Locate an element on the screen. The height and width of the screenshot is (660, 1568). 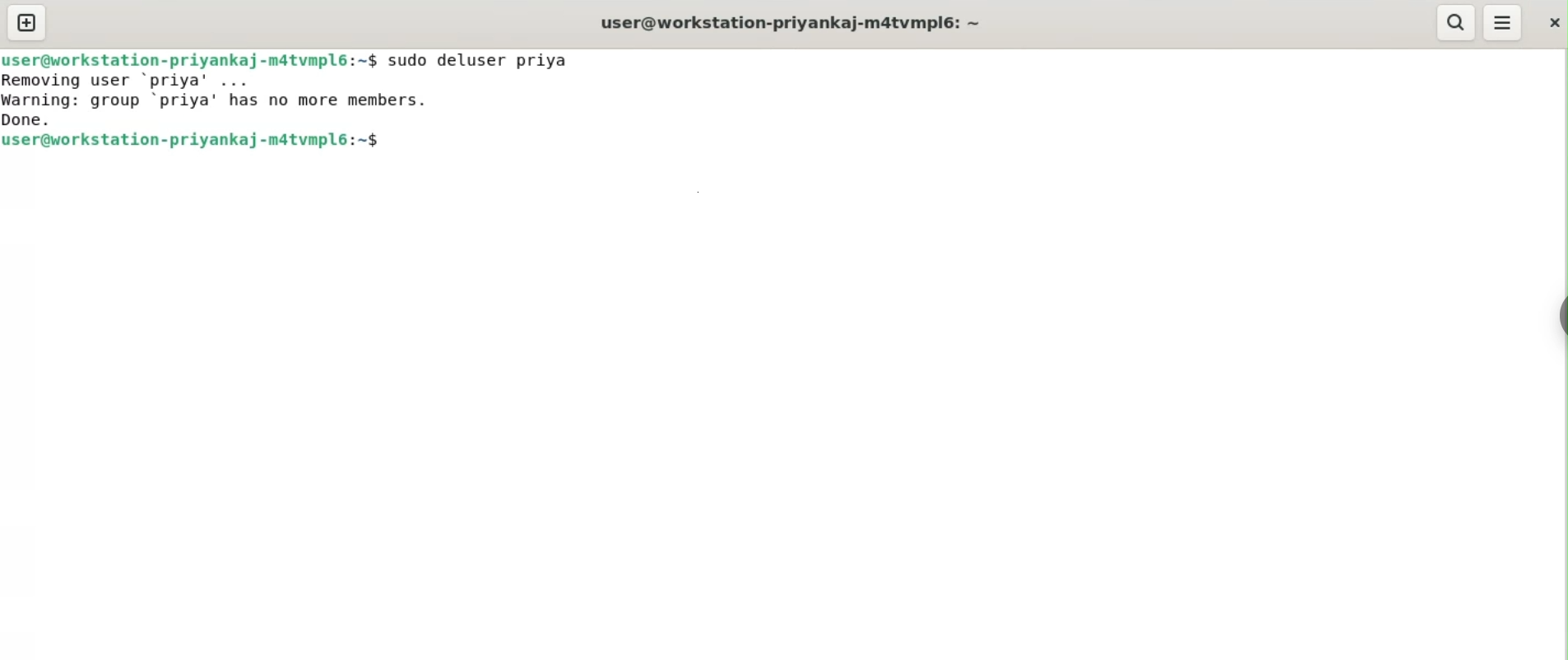
new tab is located at coordinates (28, 23).